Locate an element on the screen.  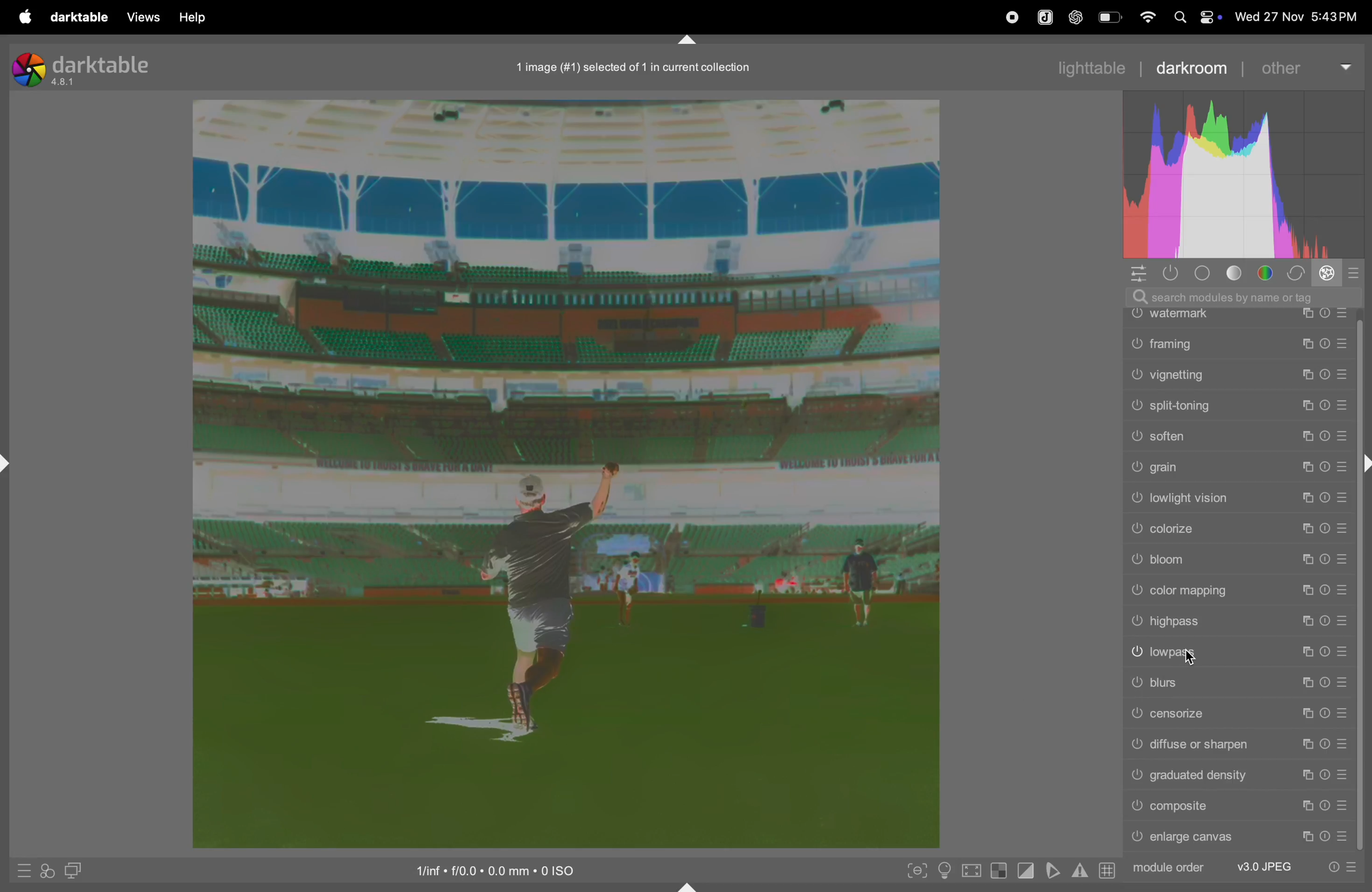
vignetting is located at coordinates (1238, 375).